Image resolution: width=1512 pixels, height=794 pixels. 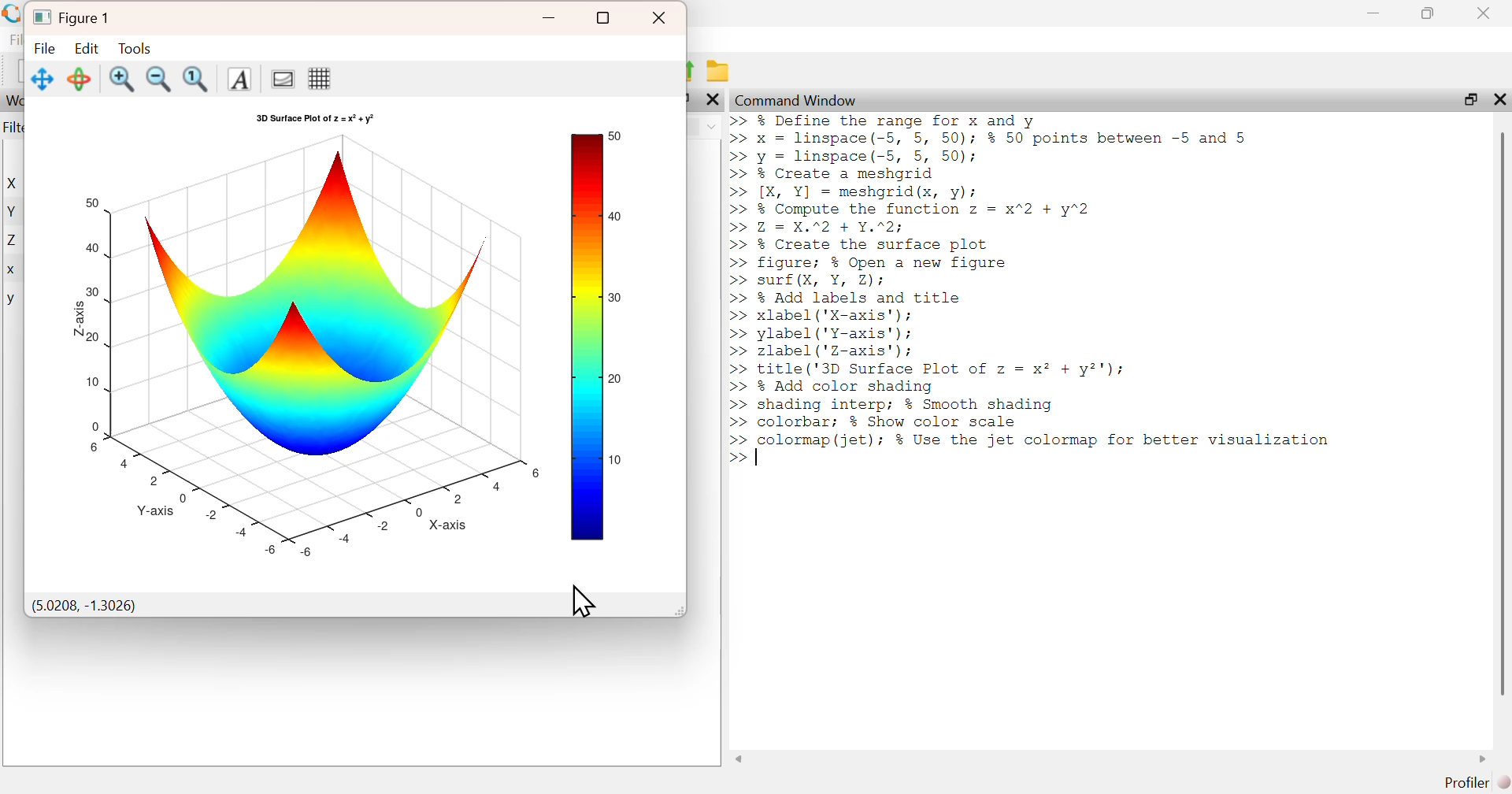 What do you see at coordinates (11, 300) in the screenshot?
I see `y` at bounding box center [11, 300].